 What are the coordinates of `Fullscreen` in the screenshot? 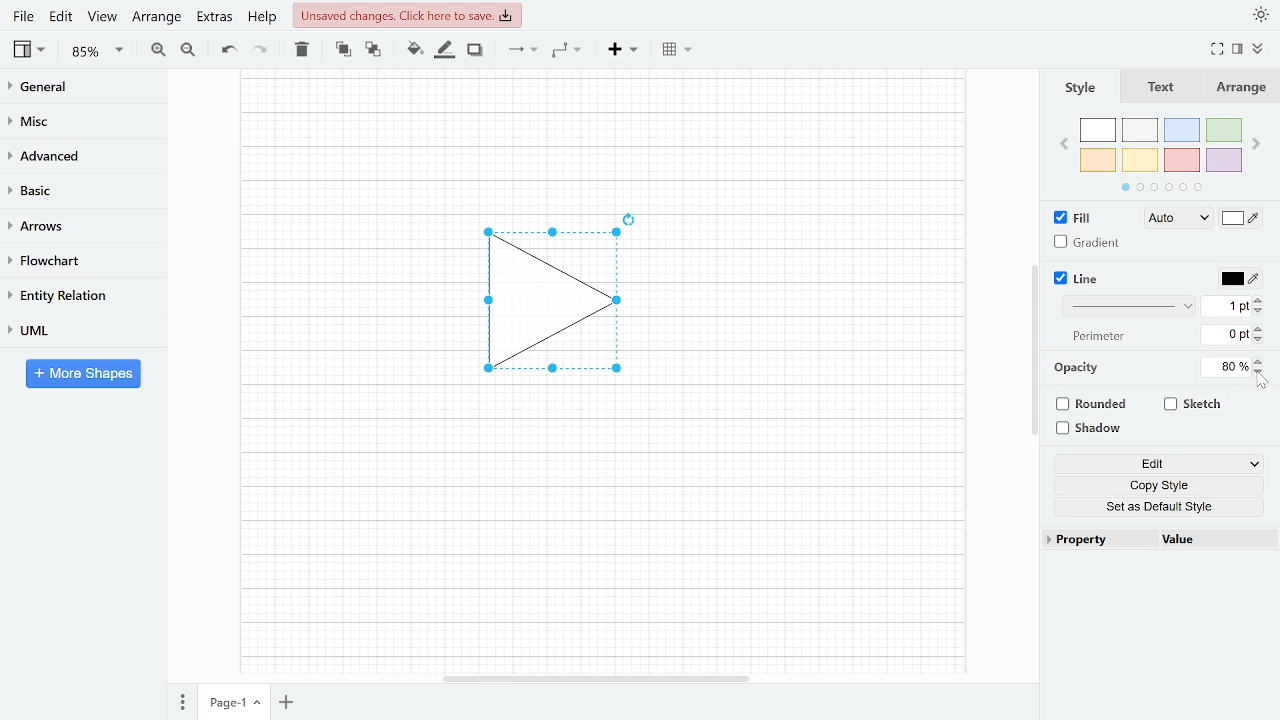 It's located at (1220, 49).